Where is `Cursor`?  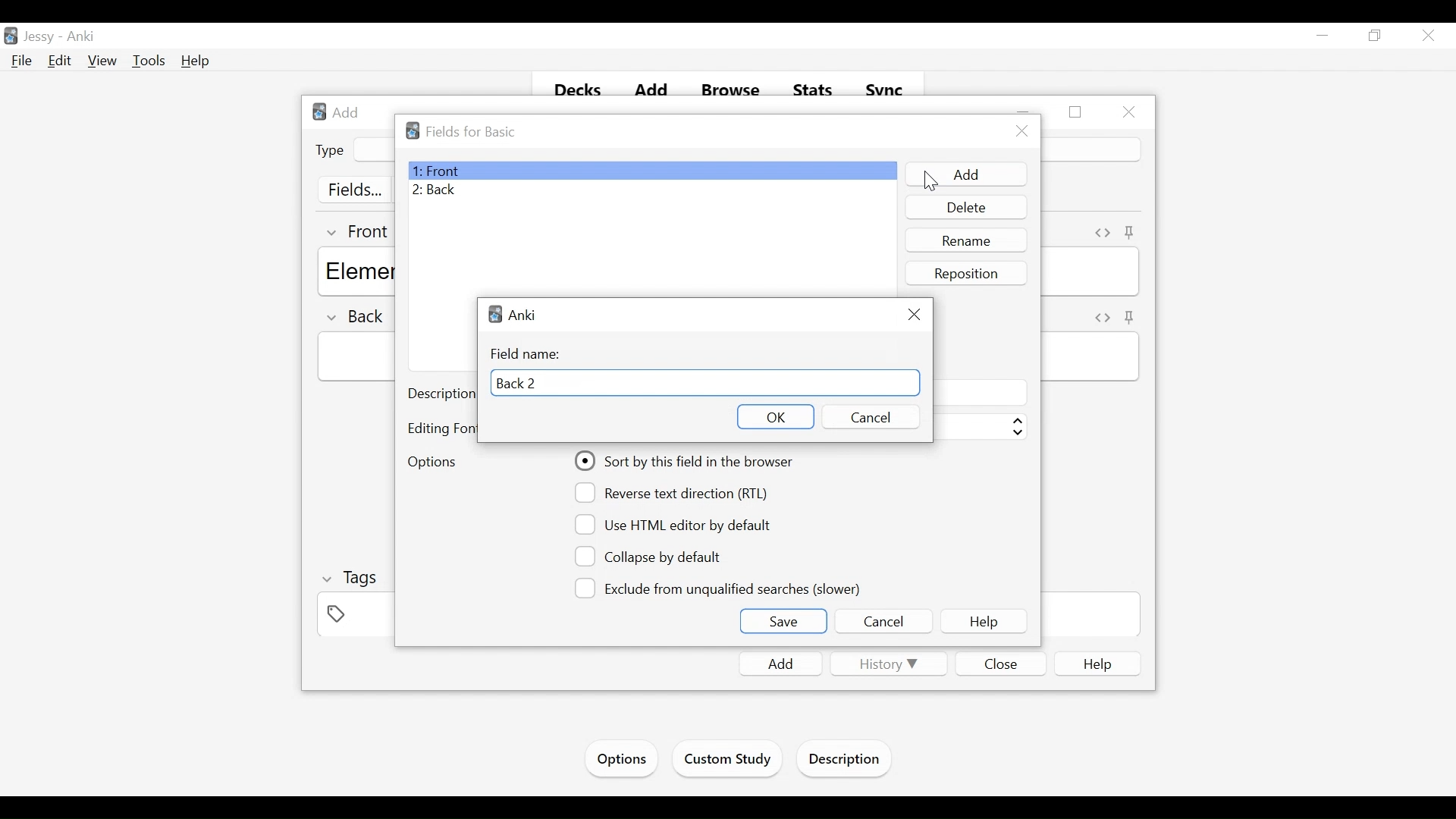
Cursor is located at coordinates (927, 182).